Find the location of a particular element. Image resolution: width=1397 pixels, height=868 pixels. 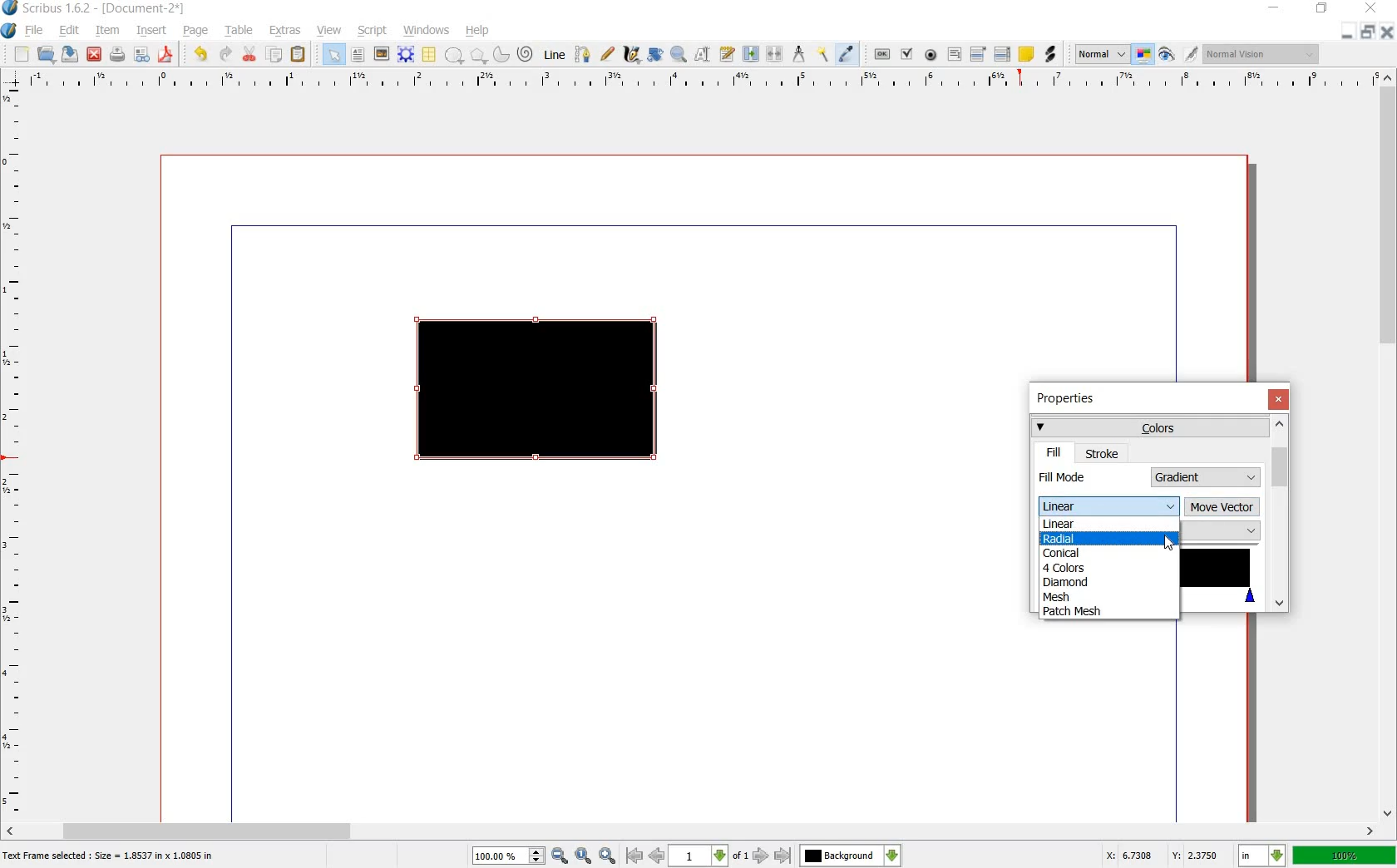

link text frame is located at coordinates (750, 55).